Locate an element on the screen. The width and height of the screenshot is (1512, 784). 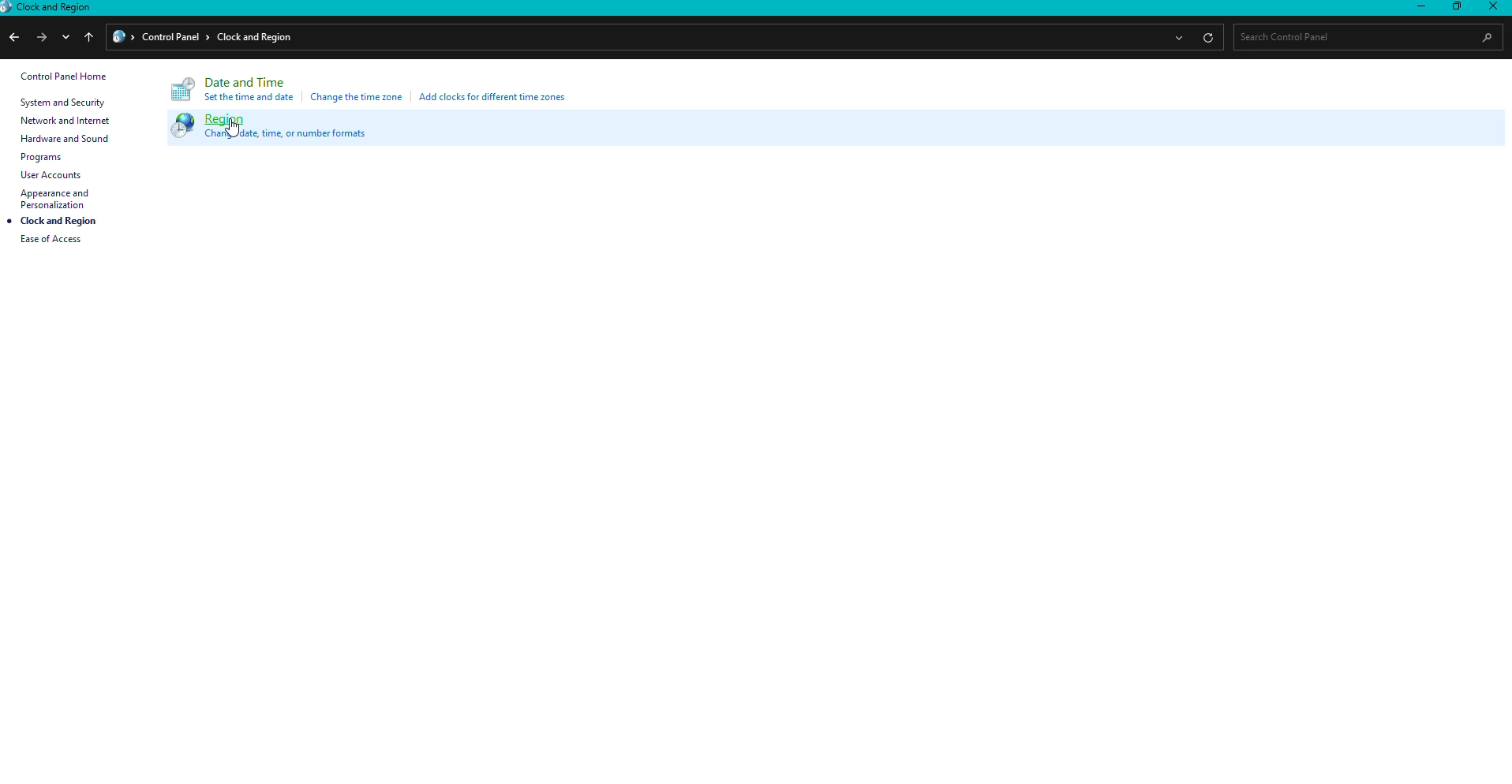
next is located at coordinates (40, 35).